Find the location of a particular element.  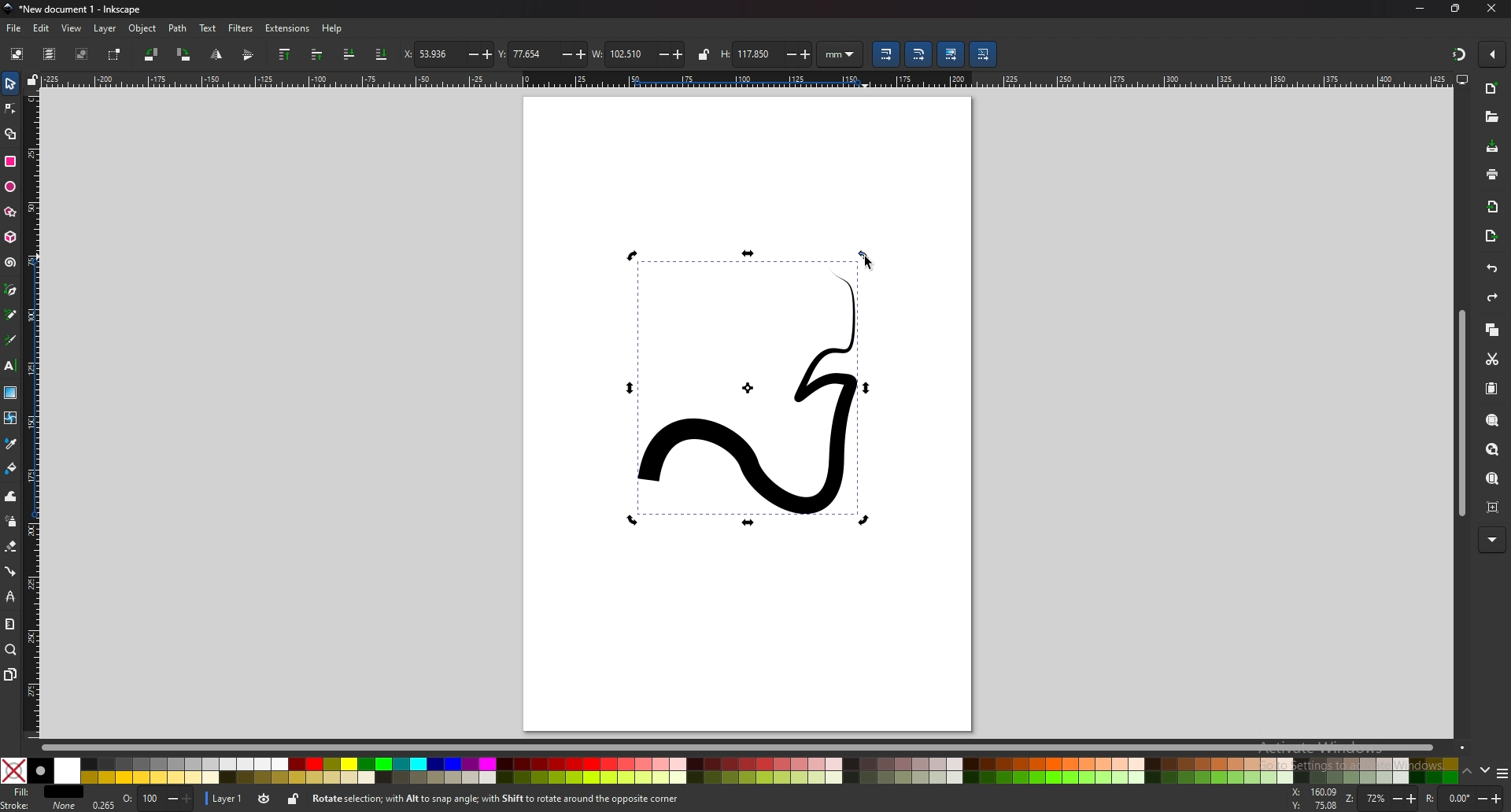

mesh is located at coordinates (10, 416).